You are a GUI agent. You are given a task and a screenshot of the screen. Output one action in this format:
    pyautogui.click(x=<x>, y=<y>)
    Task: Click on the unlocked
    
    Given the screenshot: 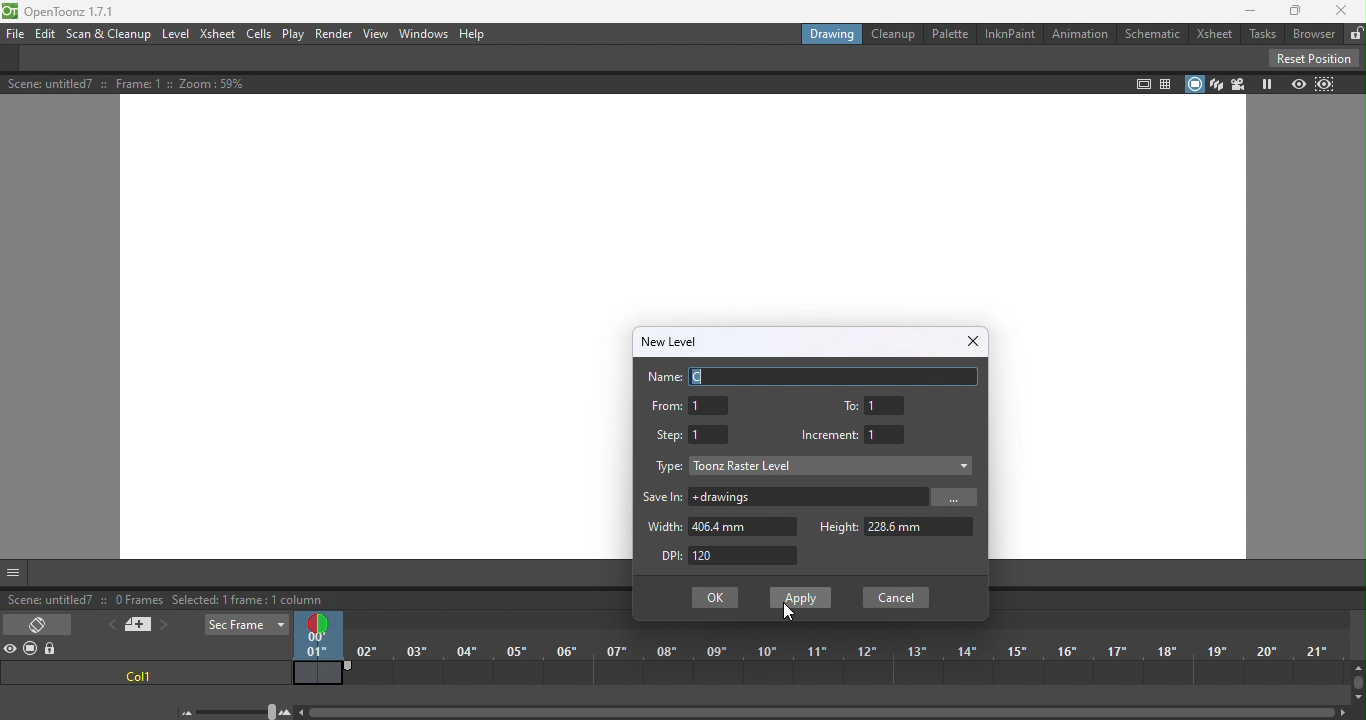 What is the action you would take?
    pyautogui.click(x=1356, y=31)
    